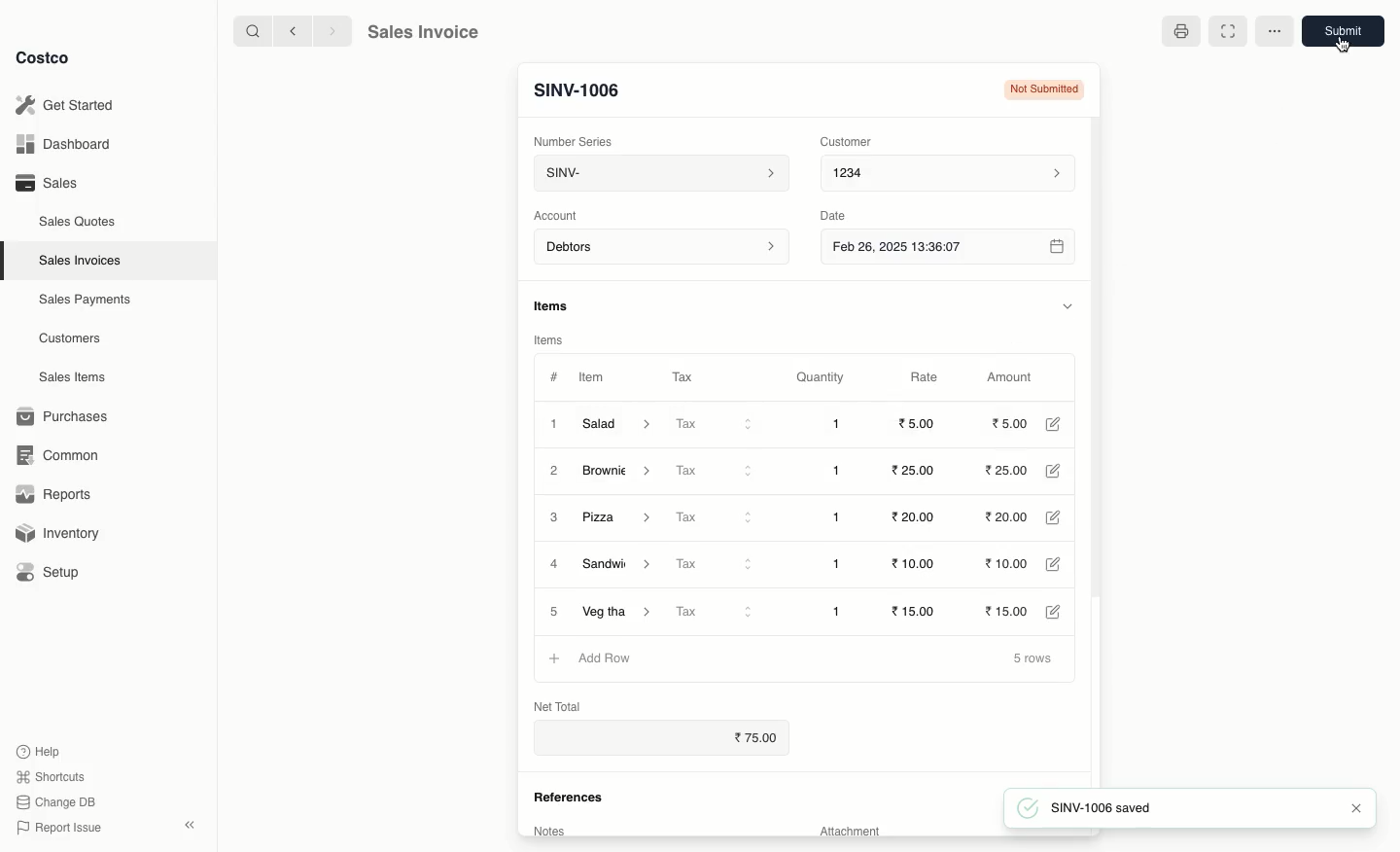 The width and height of the screenshot is (1400, 852). What do you see at coordinates (617, 471) in the screenshot?
I see `Brownie` at bounding box center [617, 471].